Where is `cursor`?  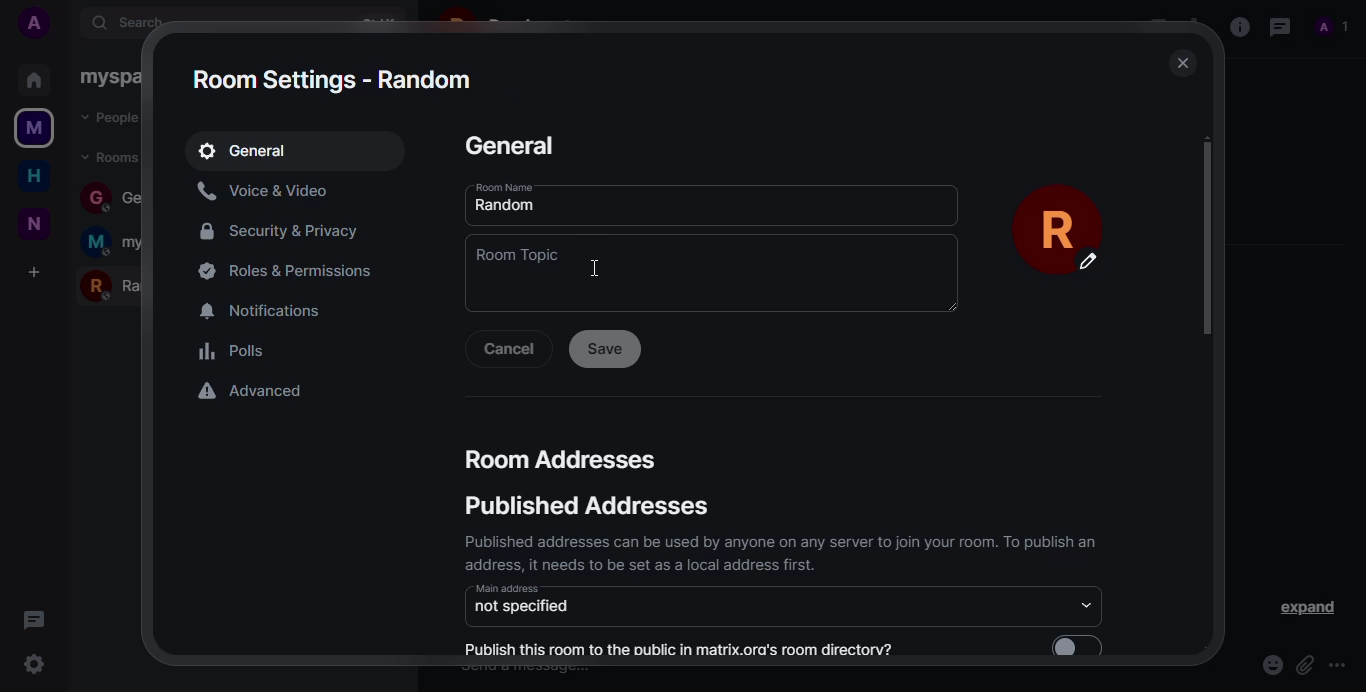
cursor is located at coordinates (596, 268).